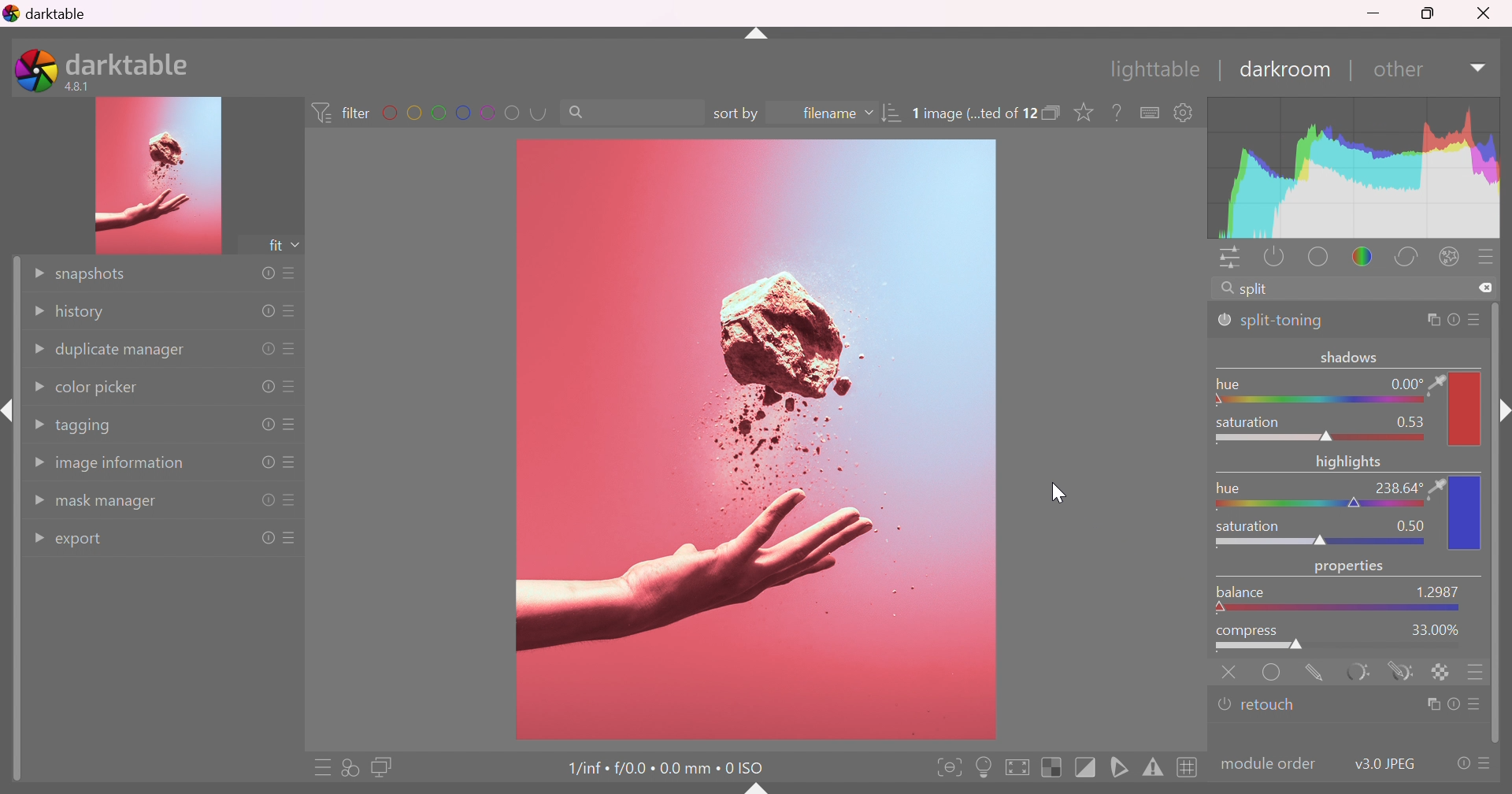 This screenshot has width=1512, height=794. What do you see at coordinates (870, 112) in the screenshot?
I see `` at bounding box center [870, 112].